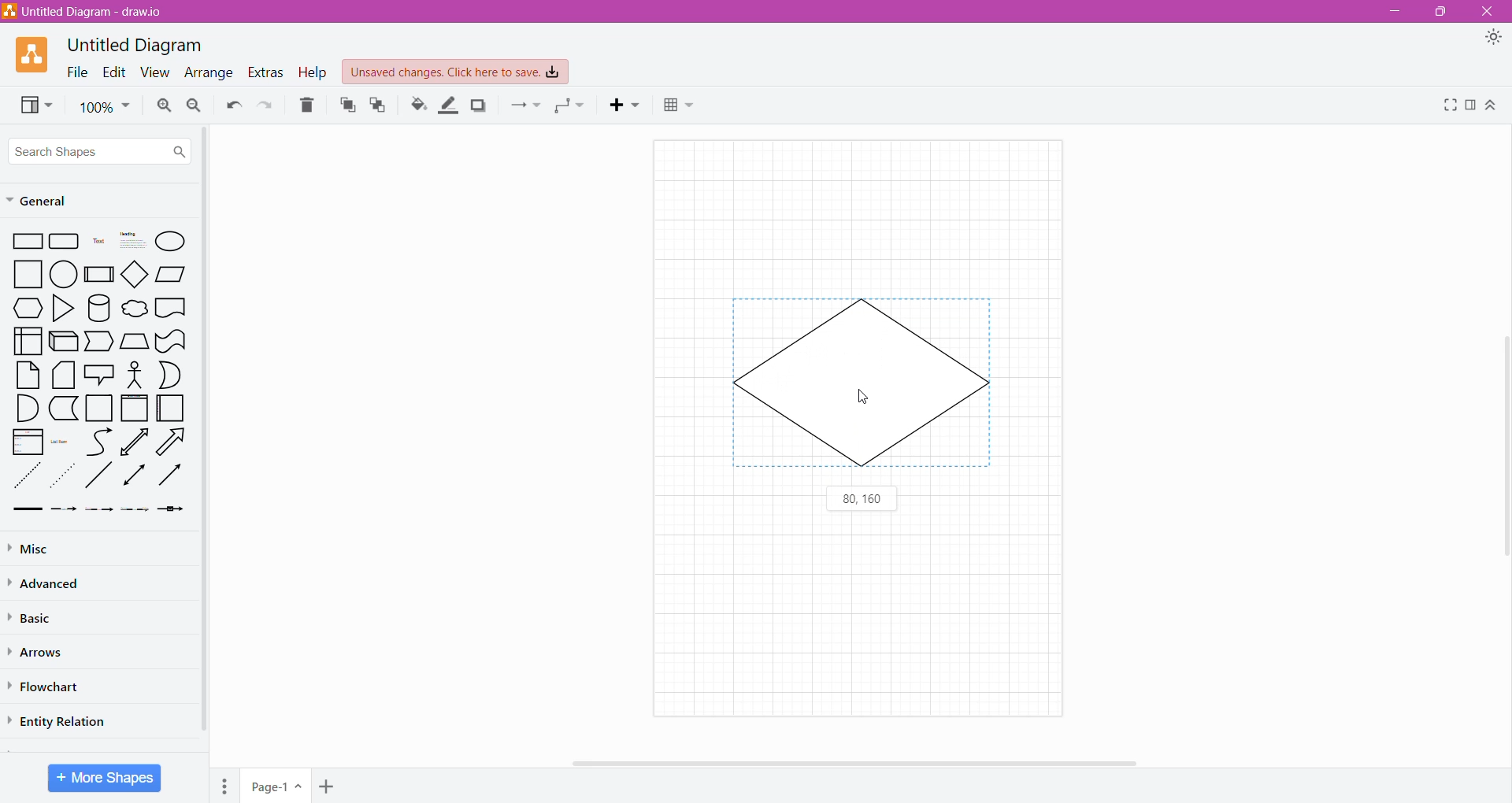  What do you see at coordinates (65, 510) in the screenshot?
I see `Connector with Label` at bounding box center [65, 510].